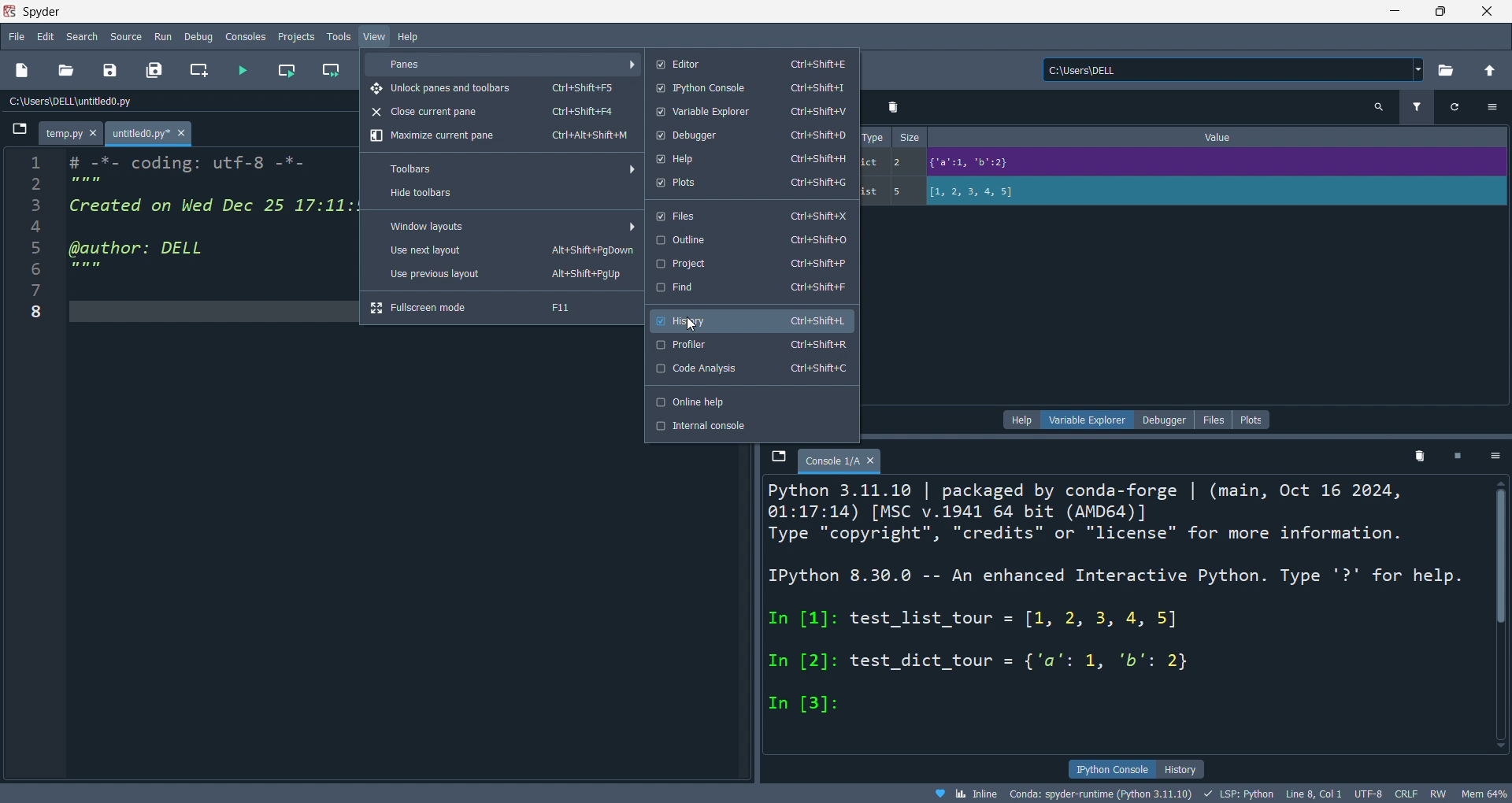 The width and height of the screenshot is (1512, 803). I want to click on debugger, so click(1164, 420).